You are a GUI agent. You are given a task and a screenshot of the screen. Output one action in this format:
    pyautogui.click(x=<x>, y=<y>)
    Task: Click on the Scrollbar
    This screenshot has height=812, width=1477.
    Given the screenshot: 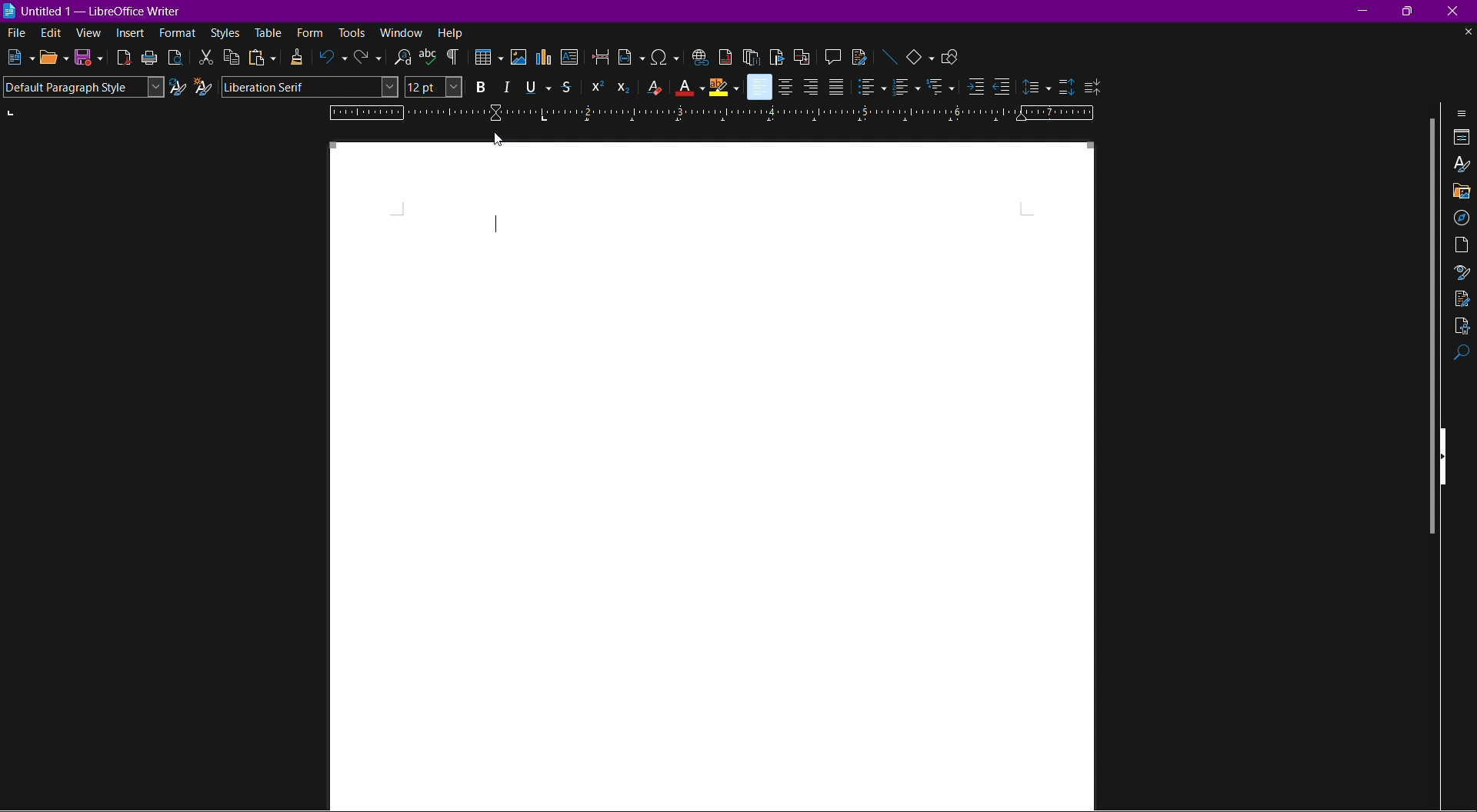 What is the action you would take?
    pyautogui.click(x=1425, y=328)
    